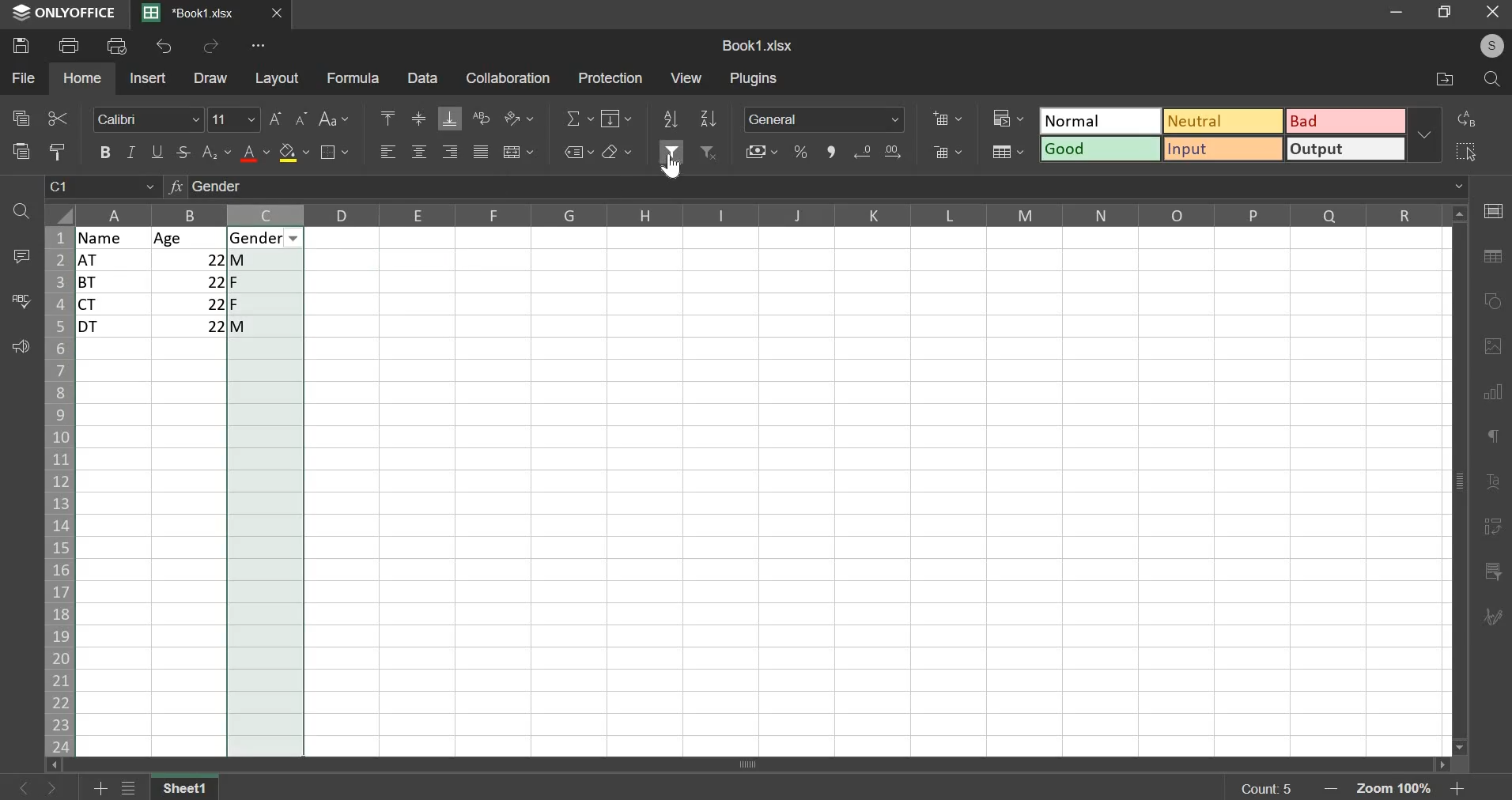  I want to click on format, so click(1222, 133).